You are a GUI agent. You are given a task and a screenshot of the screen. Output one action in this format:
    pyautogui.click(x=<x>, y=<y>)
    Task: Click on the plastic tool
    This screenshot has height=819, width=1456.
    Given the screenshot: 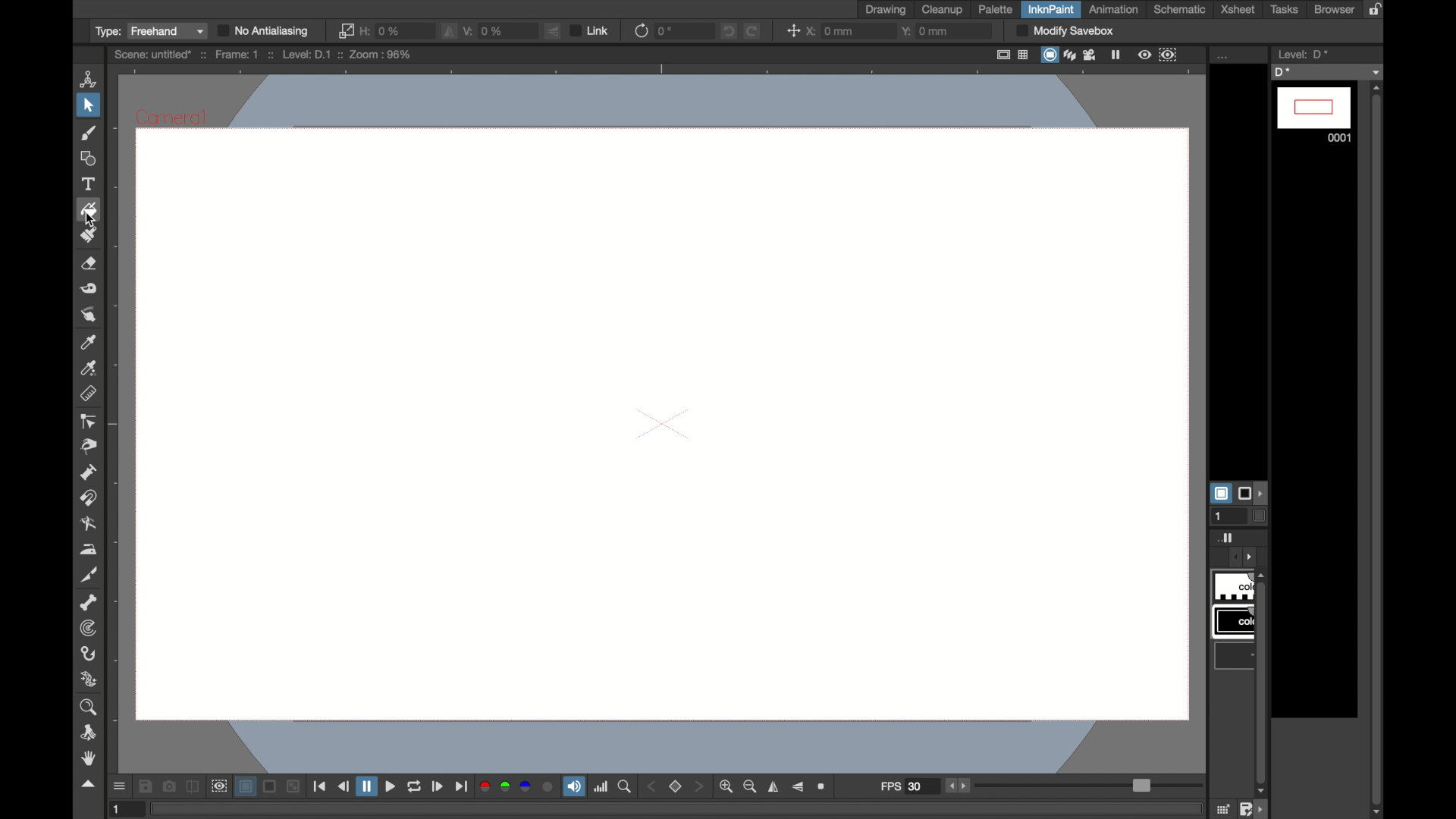 What is the action you would take?
    pyautogui.click(x=89, y=679)
    